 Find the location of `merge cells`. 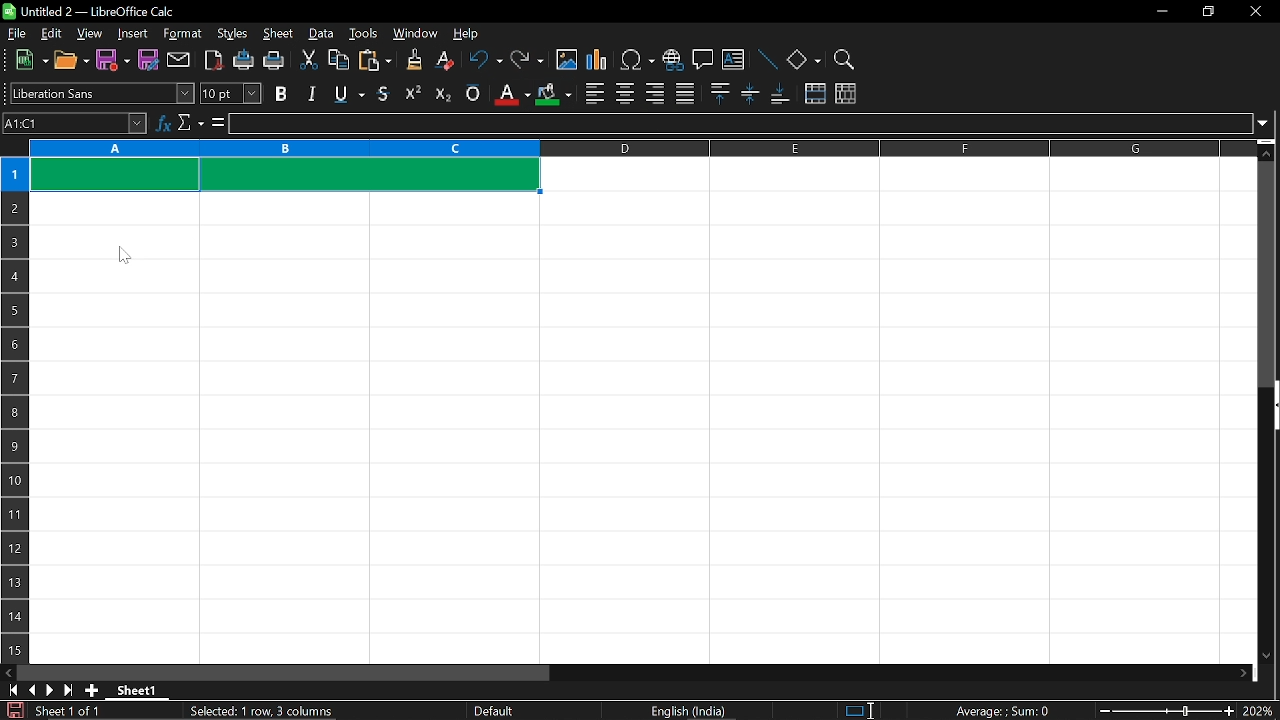

merge cells is located at coordinates (815, 94).